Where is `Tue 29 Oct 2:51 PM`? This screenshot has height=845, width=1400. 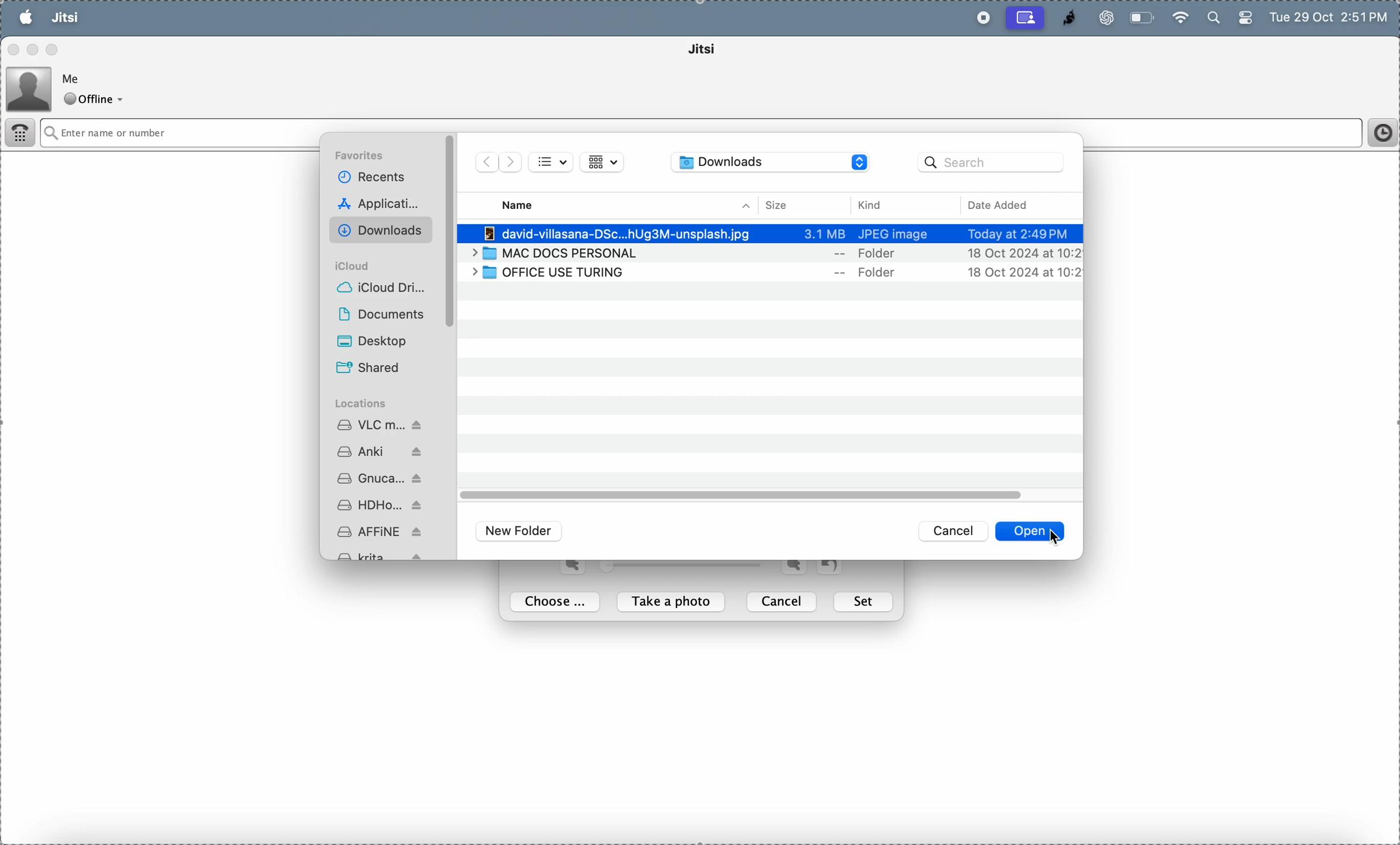 Tue 29 Oct 2:51 PM is located at coordinates (1331, 19).